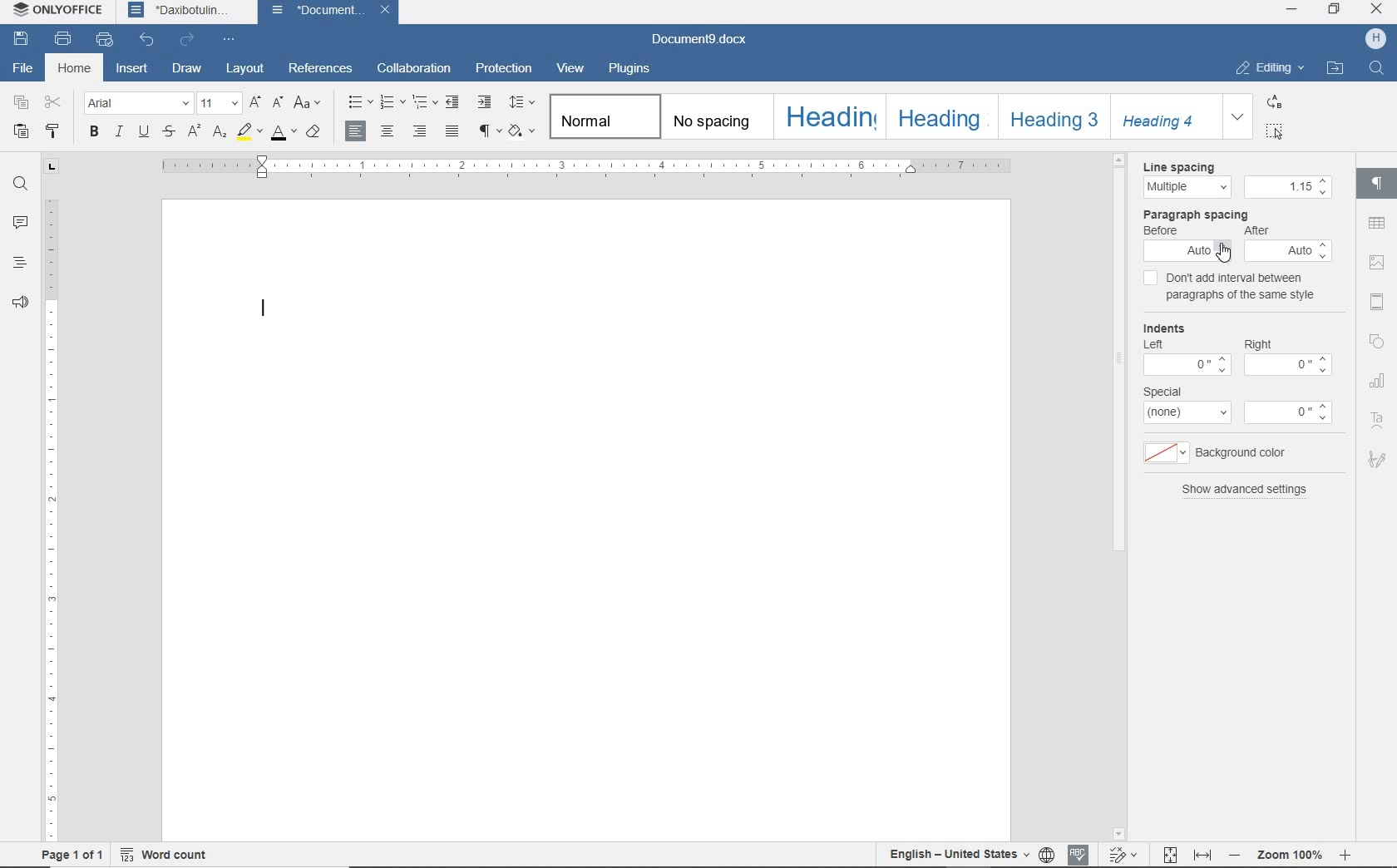 The image size is (1397, 868). What do you see at coordinates (1375, 343) in the screenshot?
I see `shape` at bounding box center [1375, 343].